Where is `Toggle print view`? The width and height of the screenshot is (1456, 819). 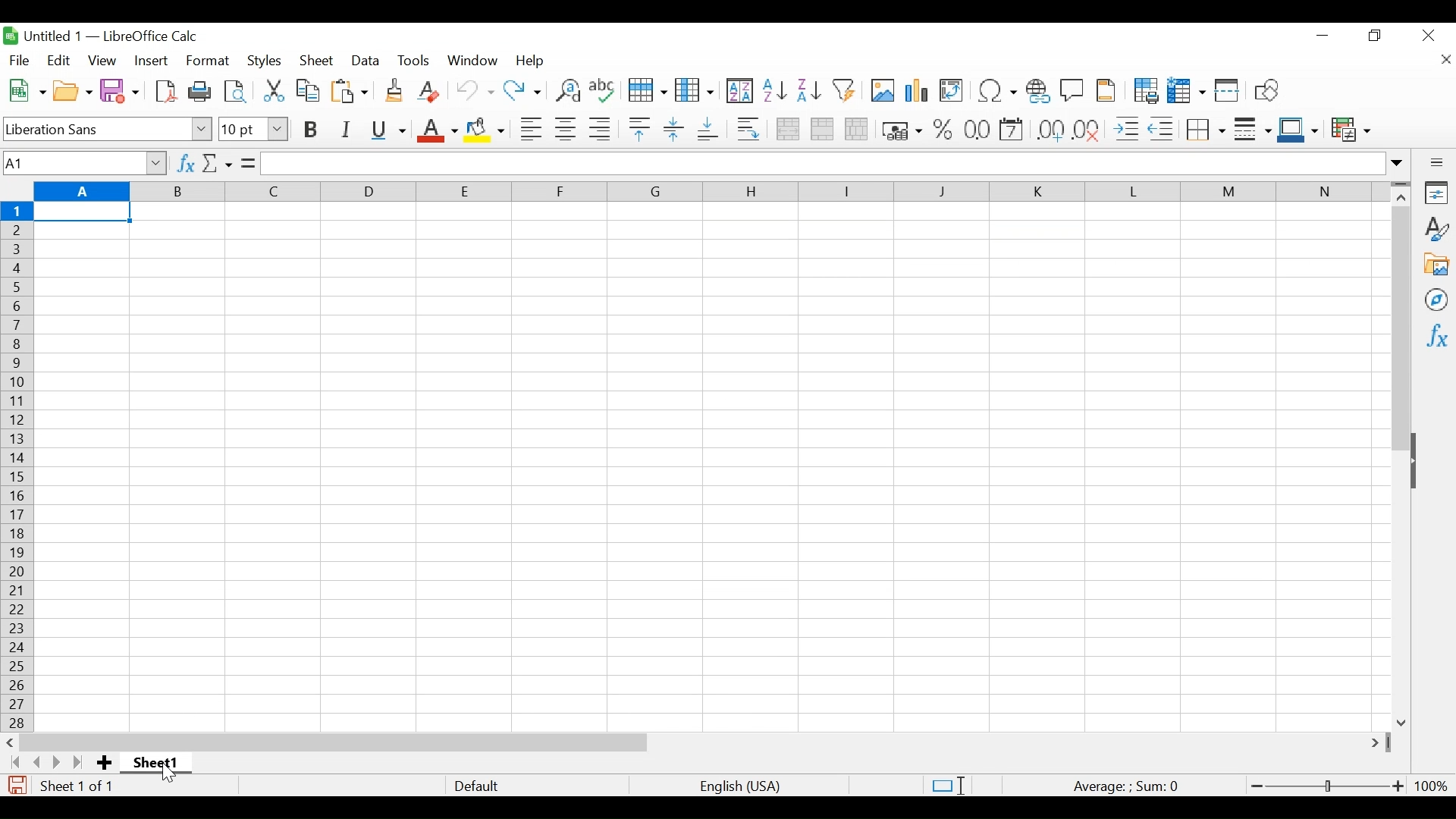 Toggle print view is located at coordinates (236, 89).